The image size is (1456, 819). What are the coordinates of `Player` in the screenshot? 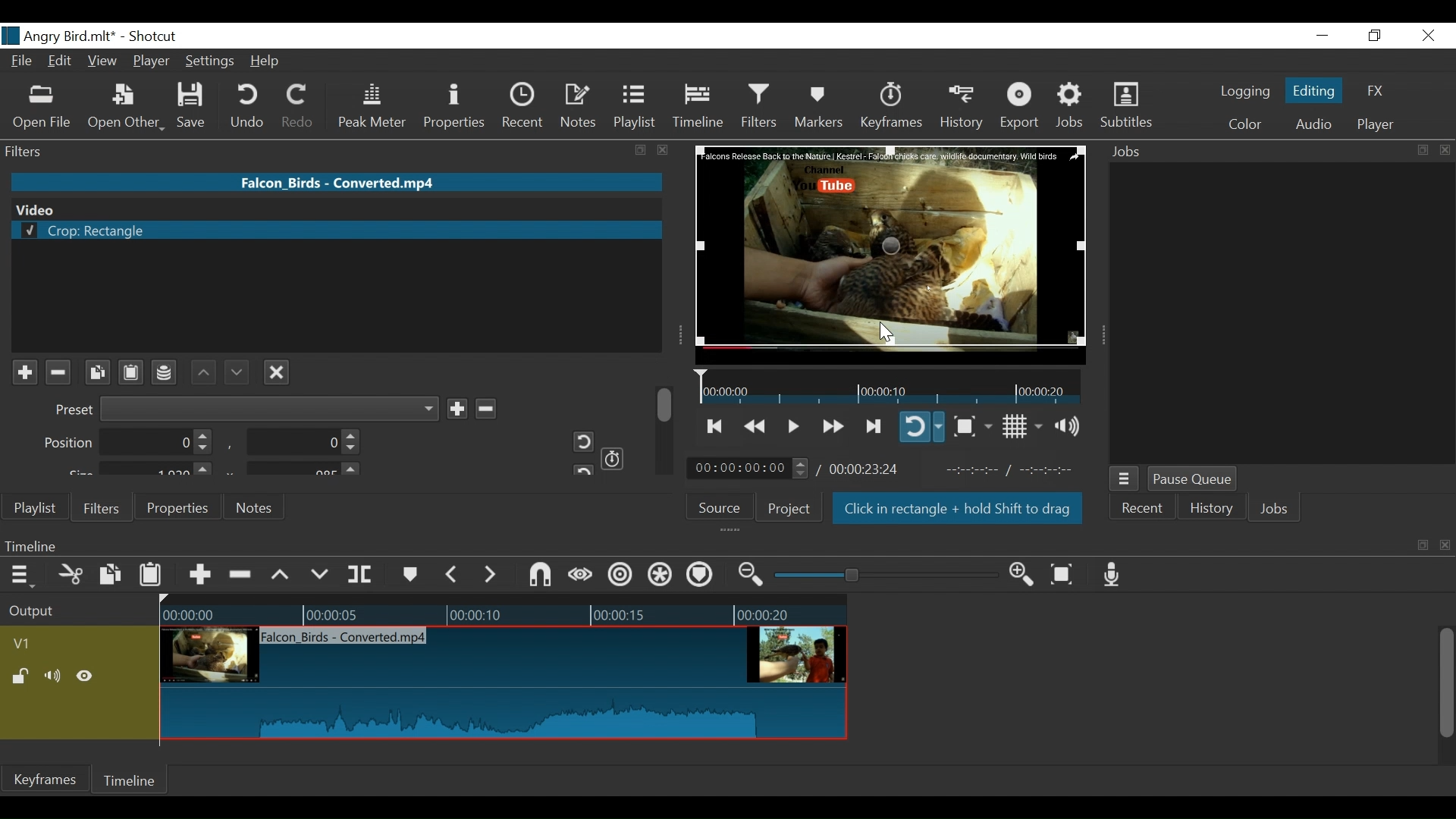 It's located at (1376, 125).